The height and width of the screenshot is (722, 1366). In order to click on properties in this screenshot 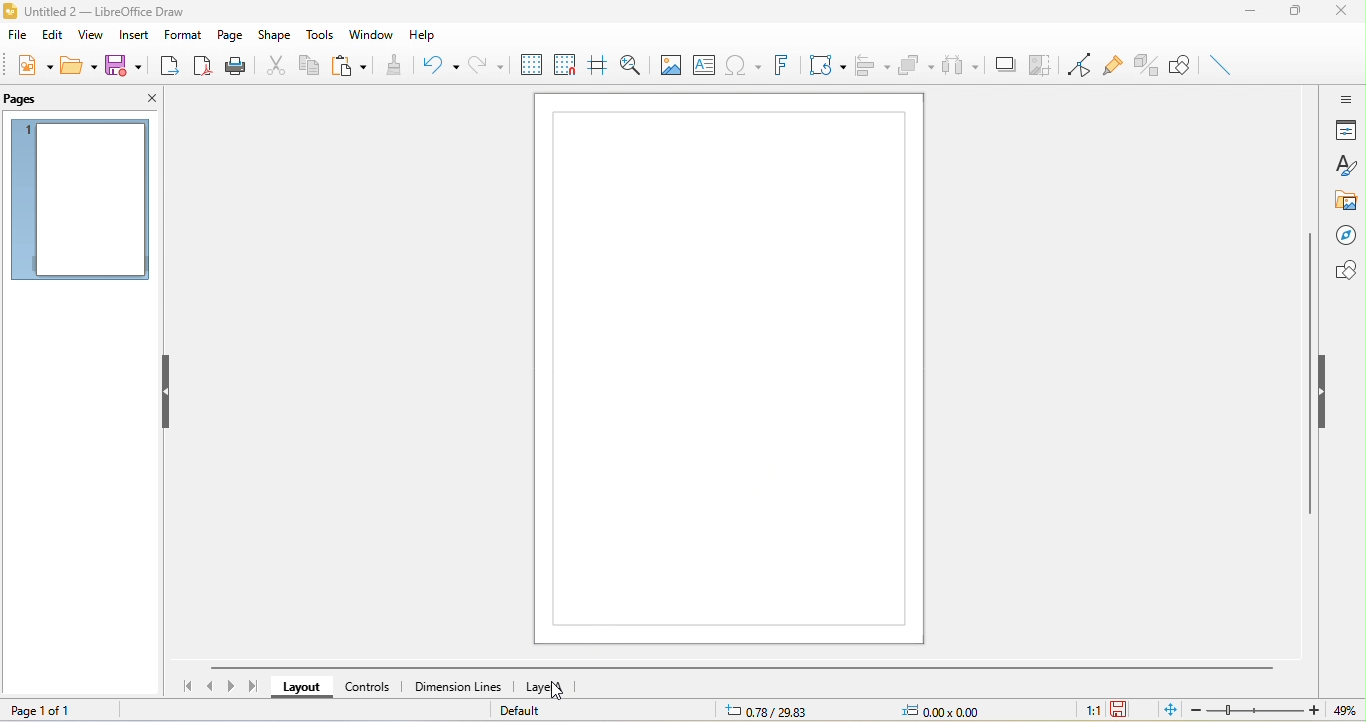, I will do `click(1346, 132)`.